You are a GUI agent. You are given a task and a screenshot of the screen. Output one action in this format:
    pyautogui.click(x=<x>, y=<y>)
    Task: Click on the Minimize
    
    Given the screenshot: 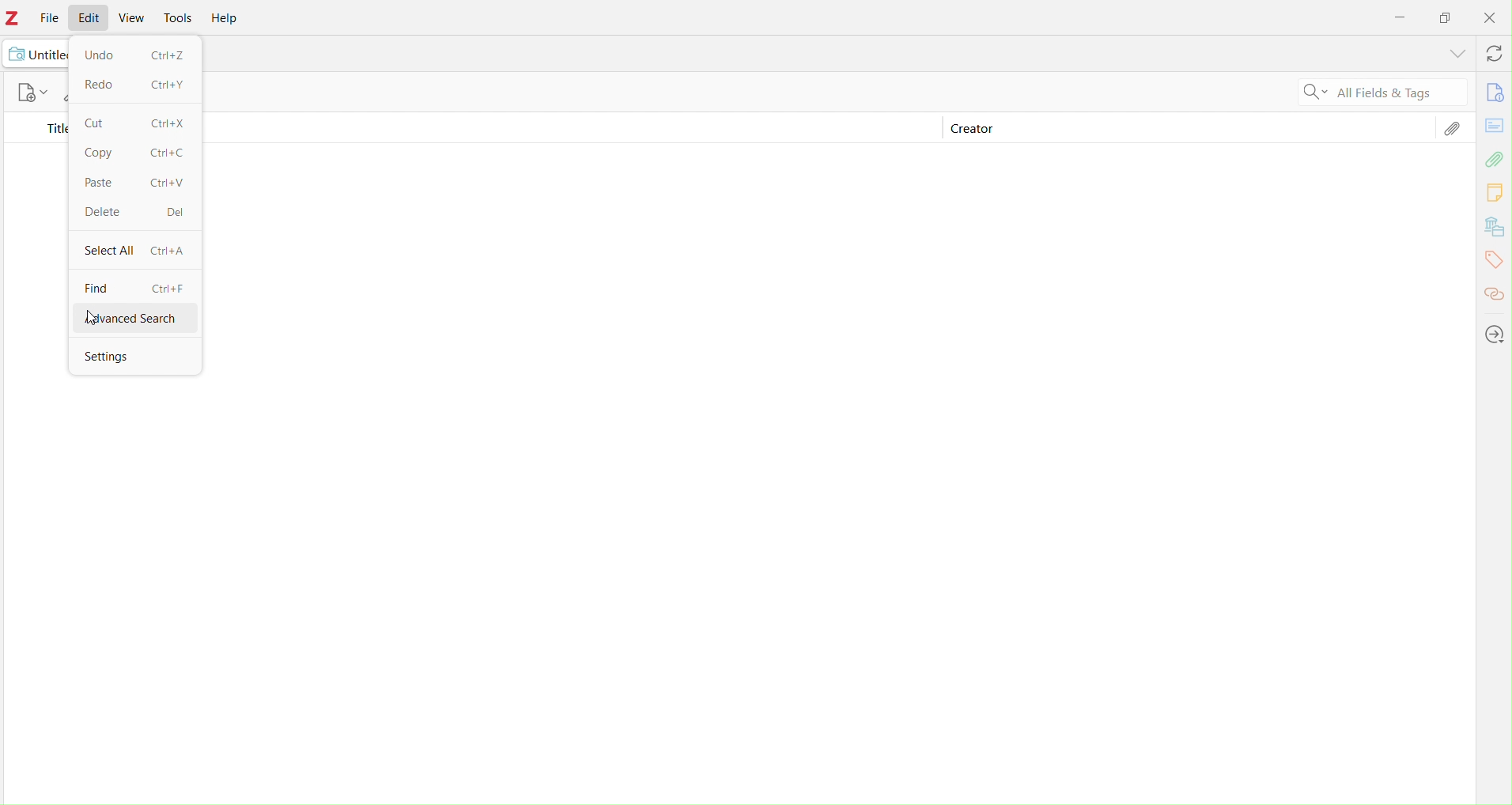 What is the action you would take?
    pyautogui.click(x=1403, y=19)
    